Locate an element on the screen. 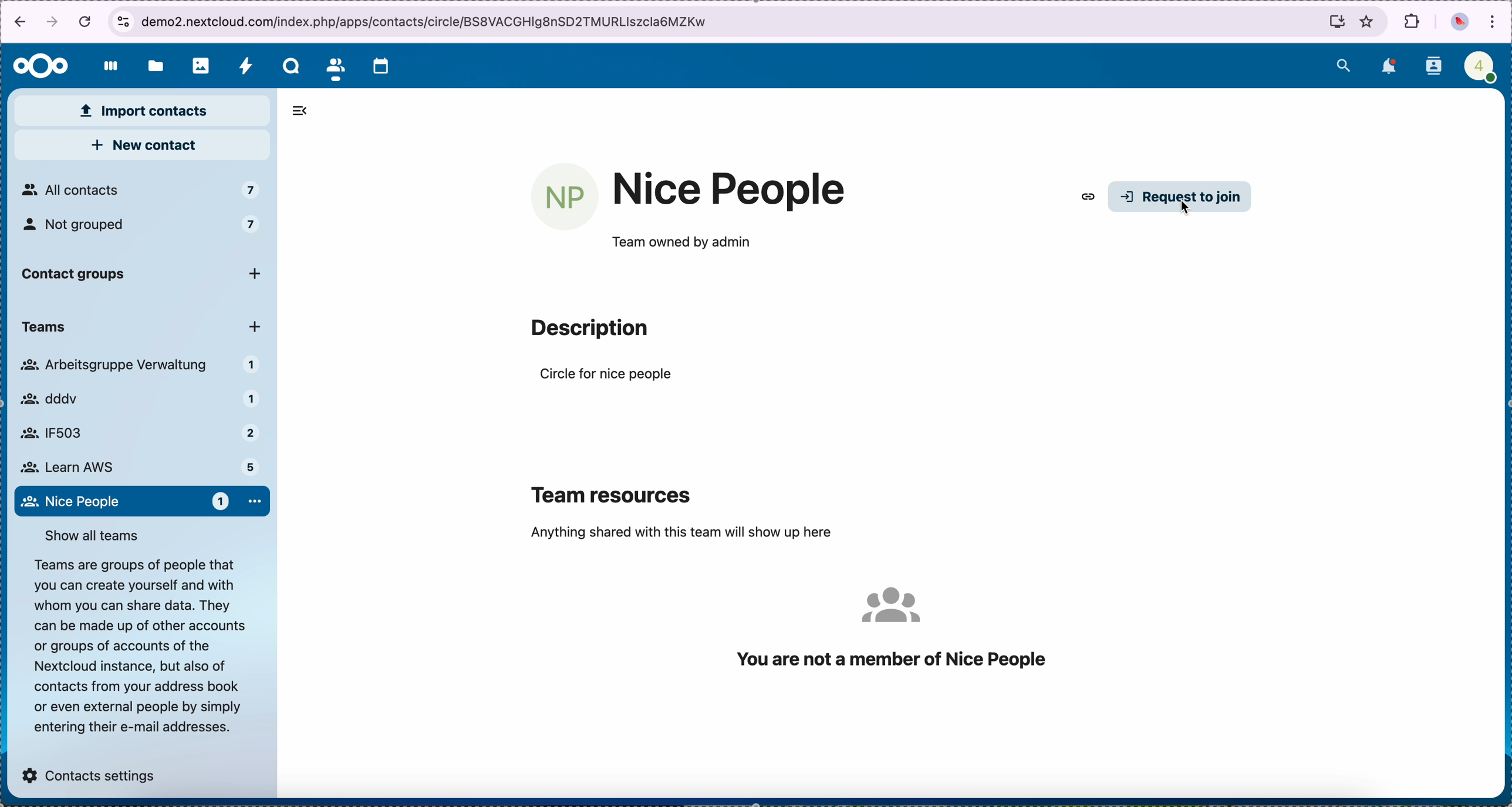 Image resolution: width=1512 pixels, height=807 pixels. nice people team is located at coordinates (141, 501).